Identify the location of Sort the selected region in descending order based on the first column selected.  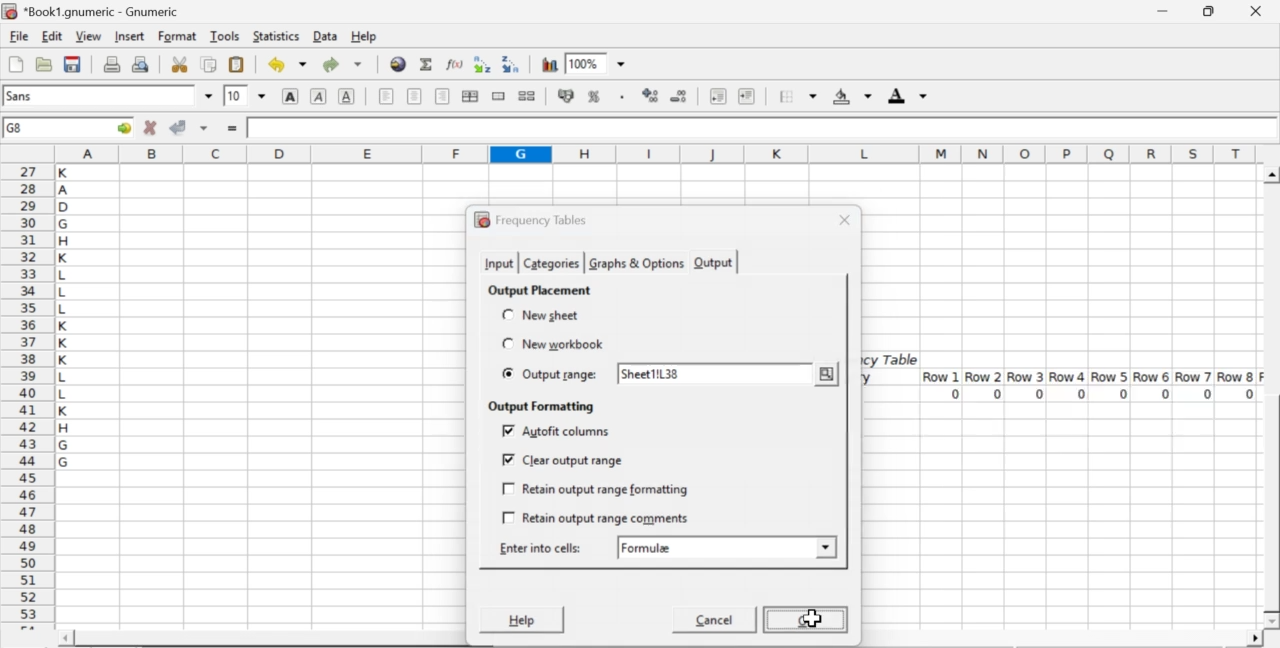
(512, 62).